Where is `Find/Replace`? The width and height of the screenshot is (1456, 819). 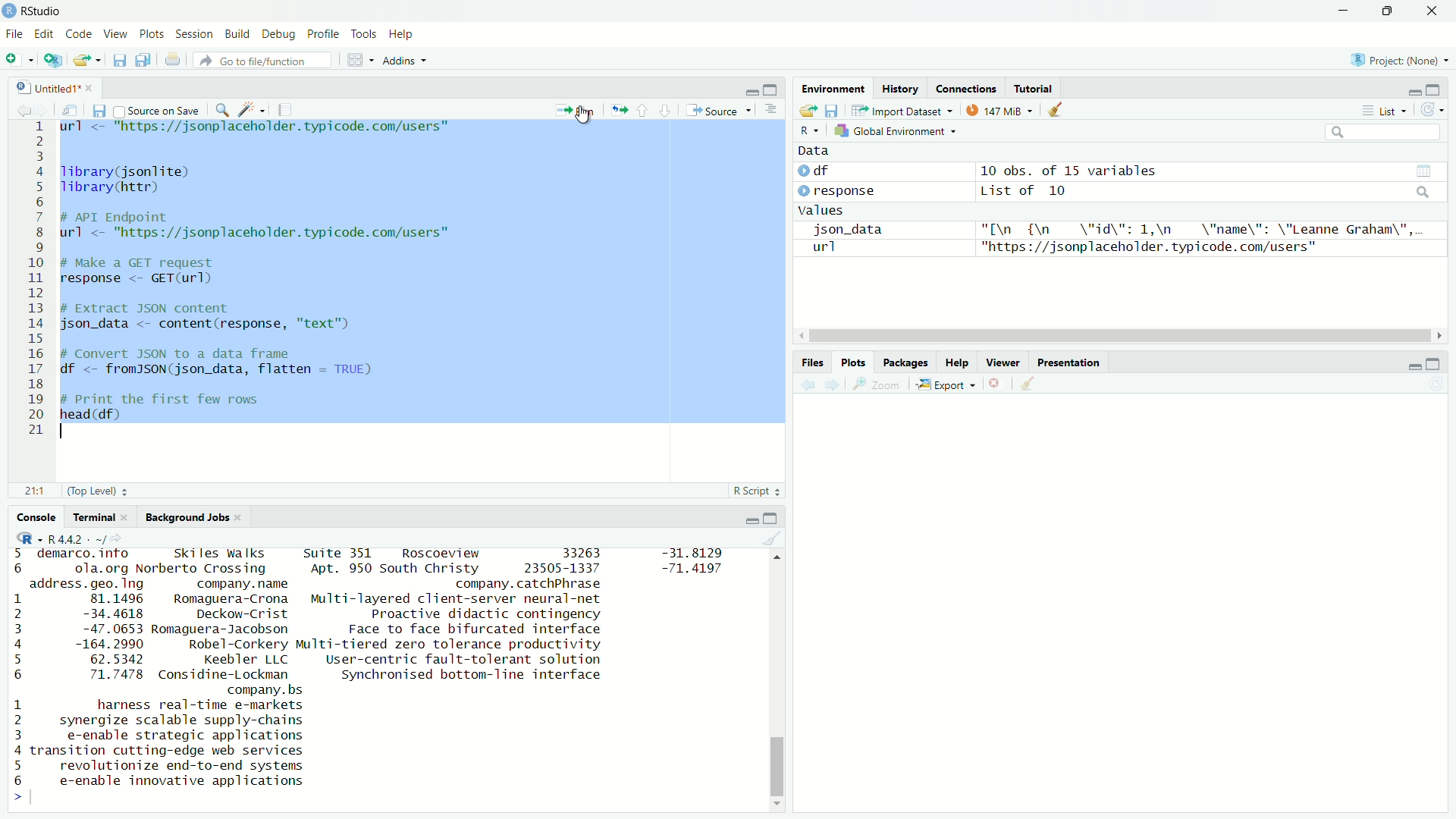
Find/Replace is located at coordinates (223, 110).